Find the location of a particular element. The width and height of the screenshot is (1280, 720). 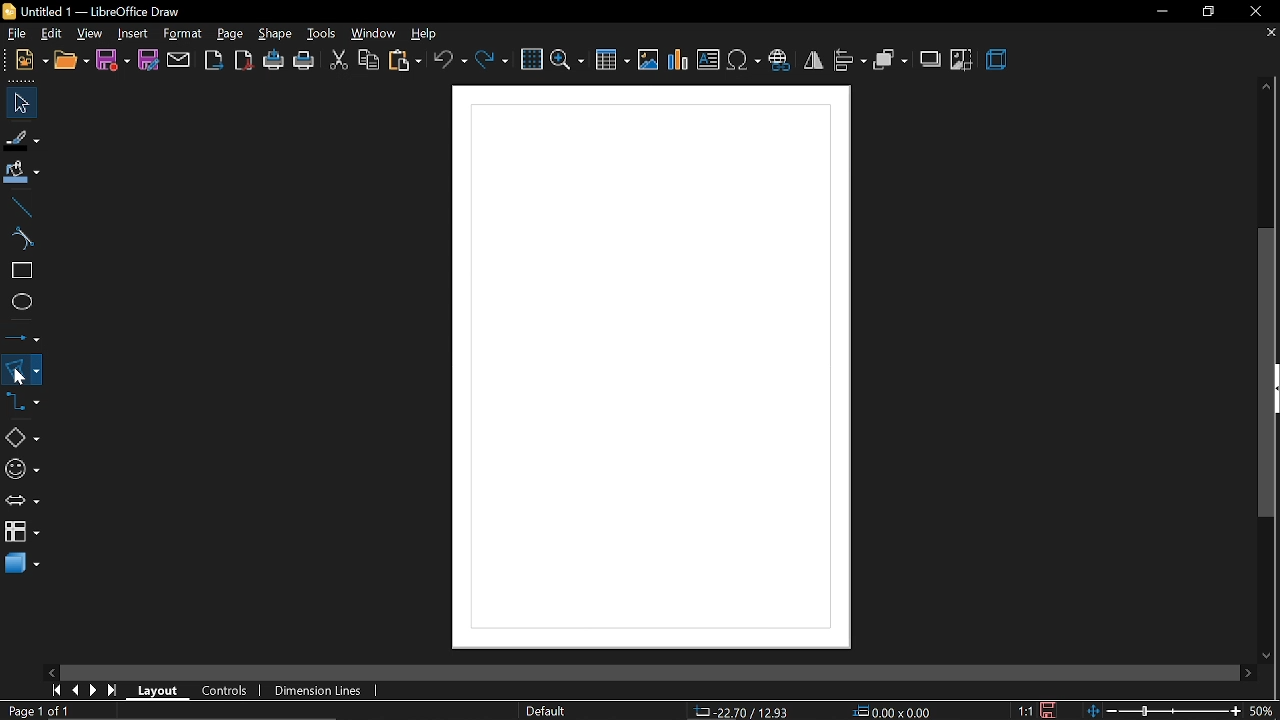

layout is located at coordinates (160, 691).